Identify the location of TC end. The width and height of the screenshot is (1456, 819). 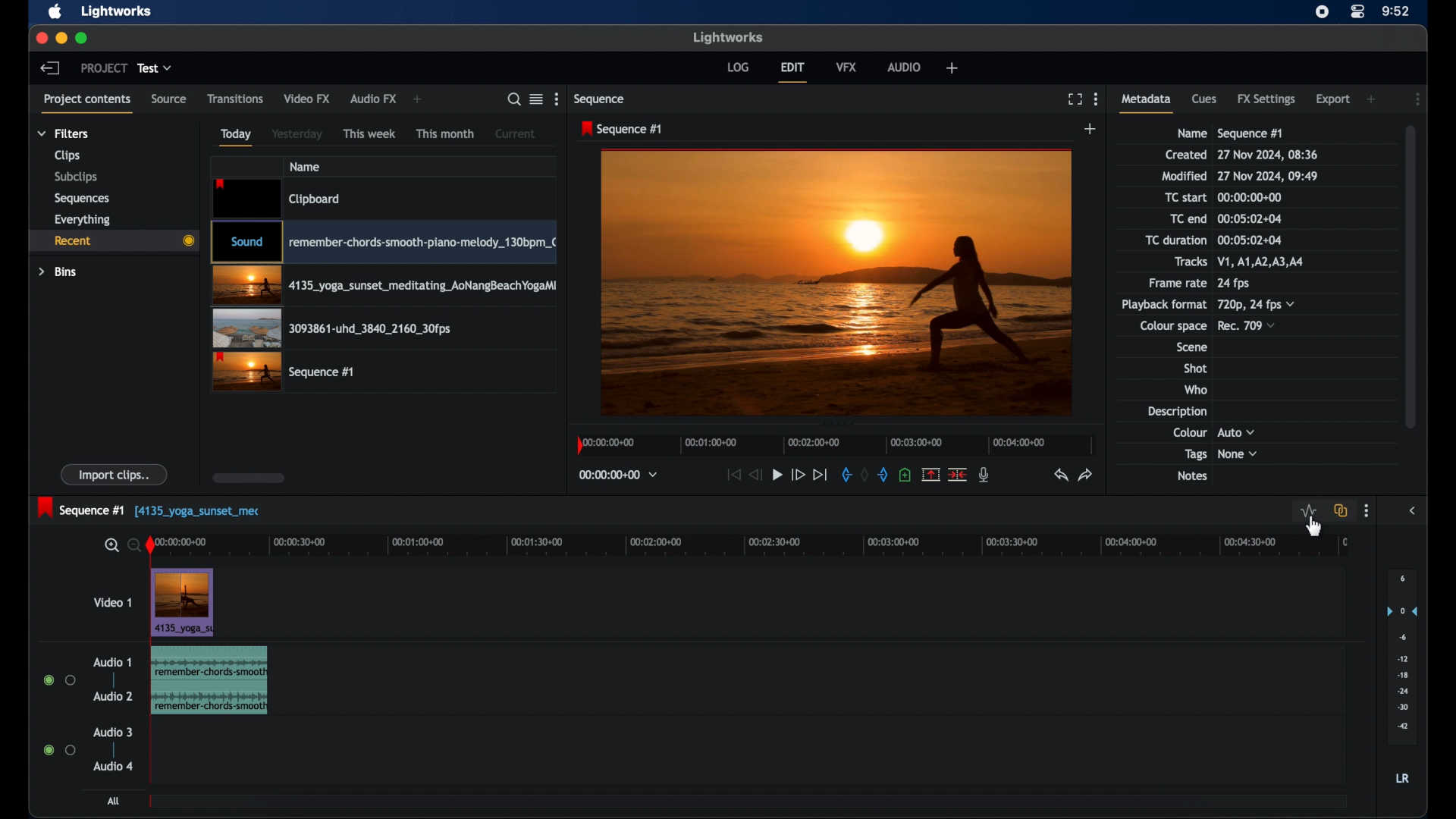
(1178, 218).